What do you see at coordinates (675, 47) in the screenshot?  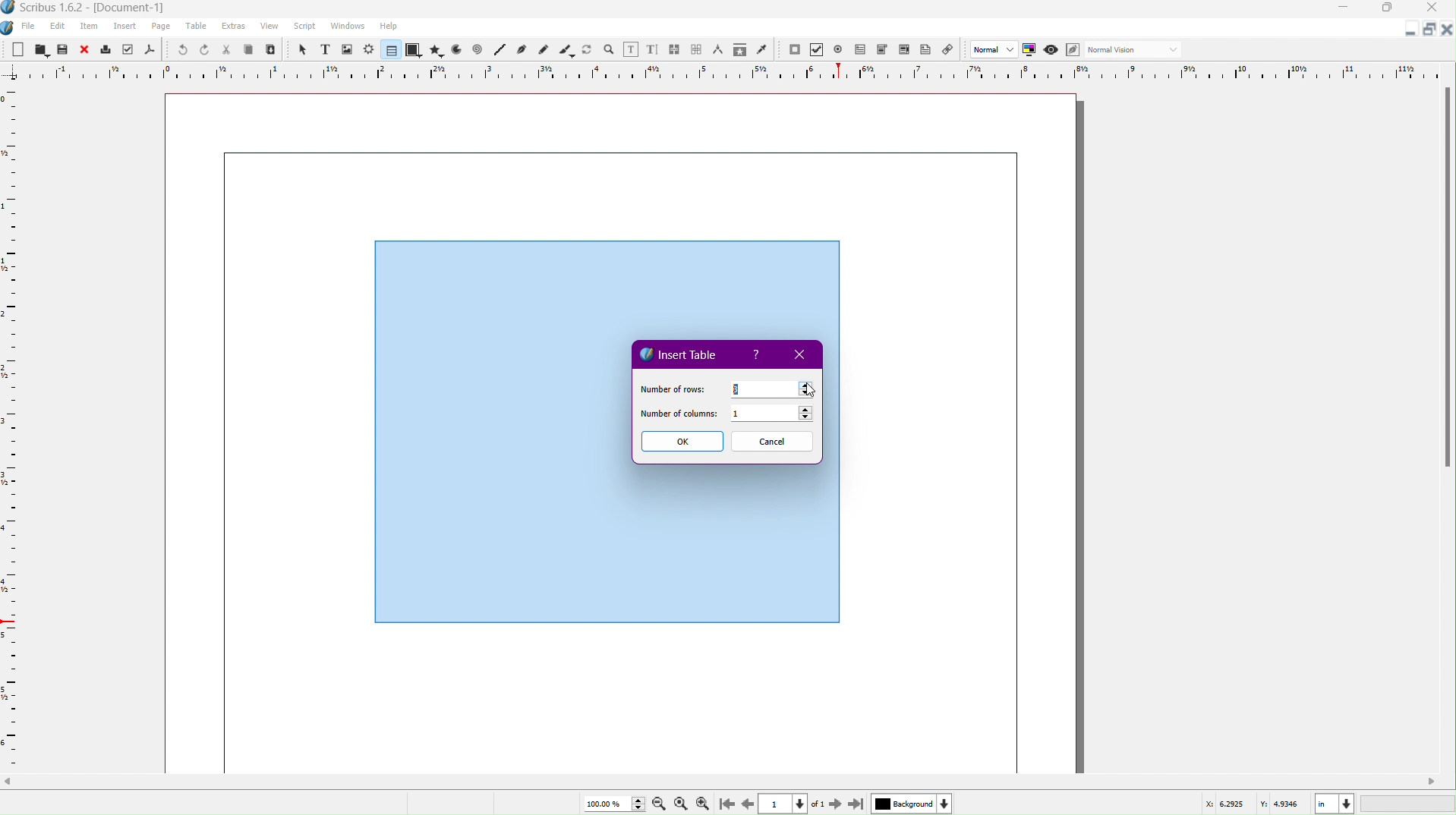 I see `Link Text Frames` at bounding box center [675, 47].